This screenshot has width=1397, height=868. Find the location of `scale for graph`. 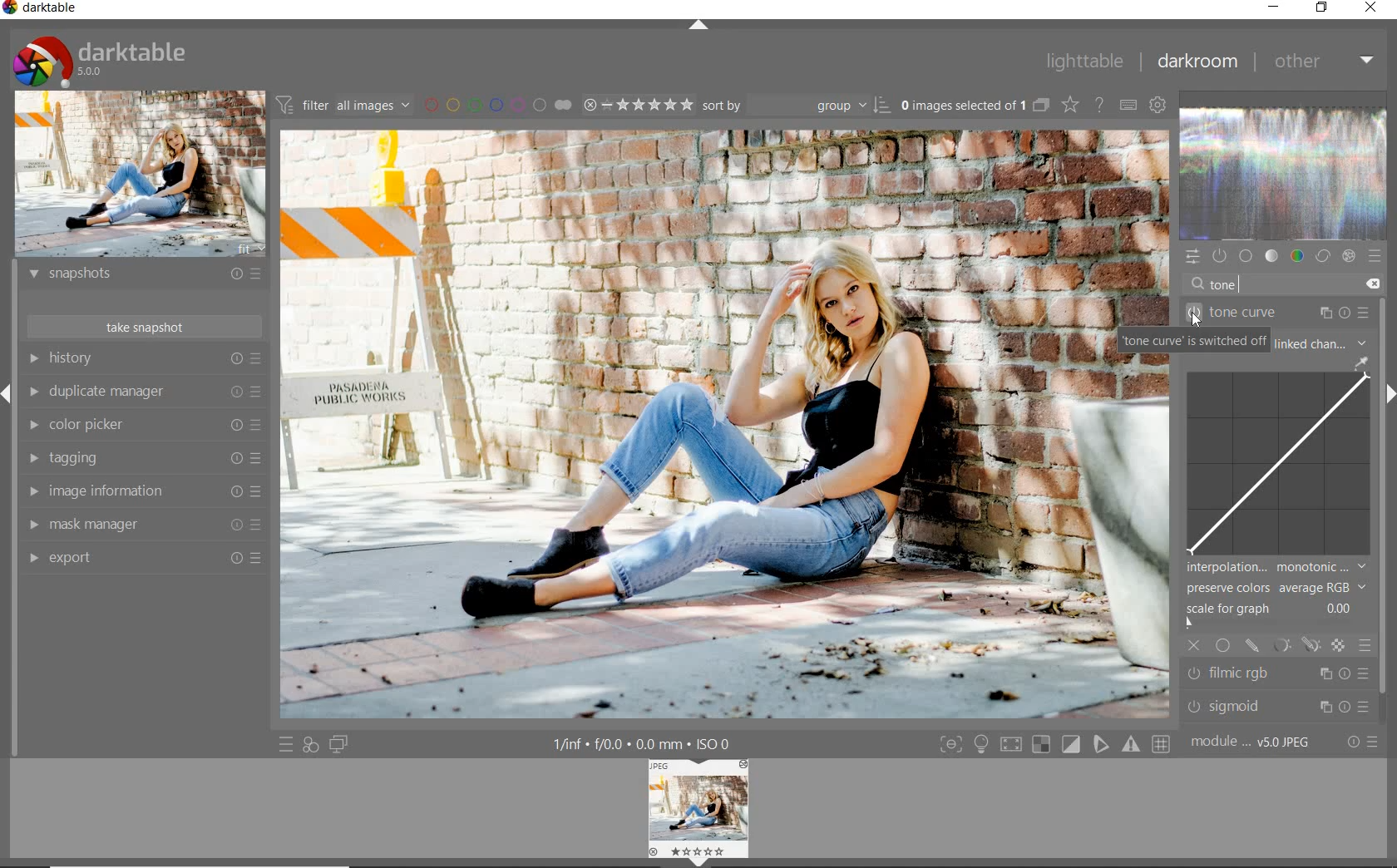

scale for graph is located at coordinates (1269, 614).